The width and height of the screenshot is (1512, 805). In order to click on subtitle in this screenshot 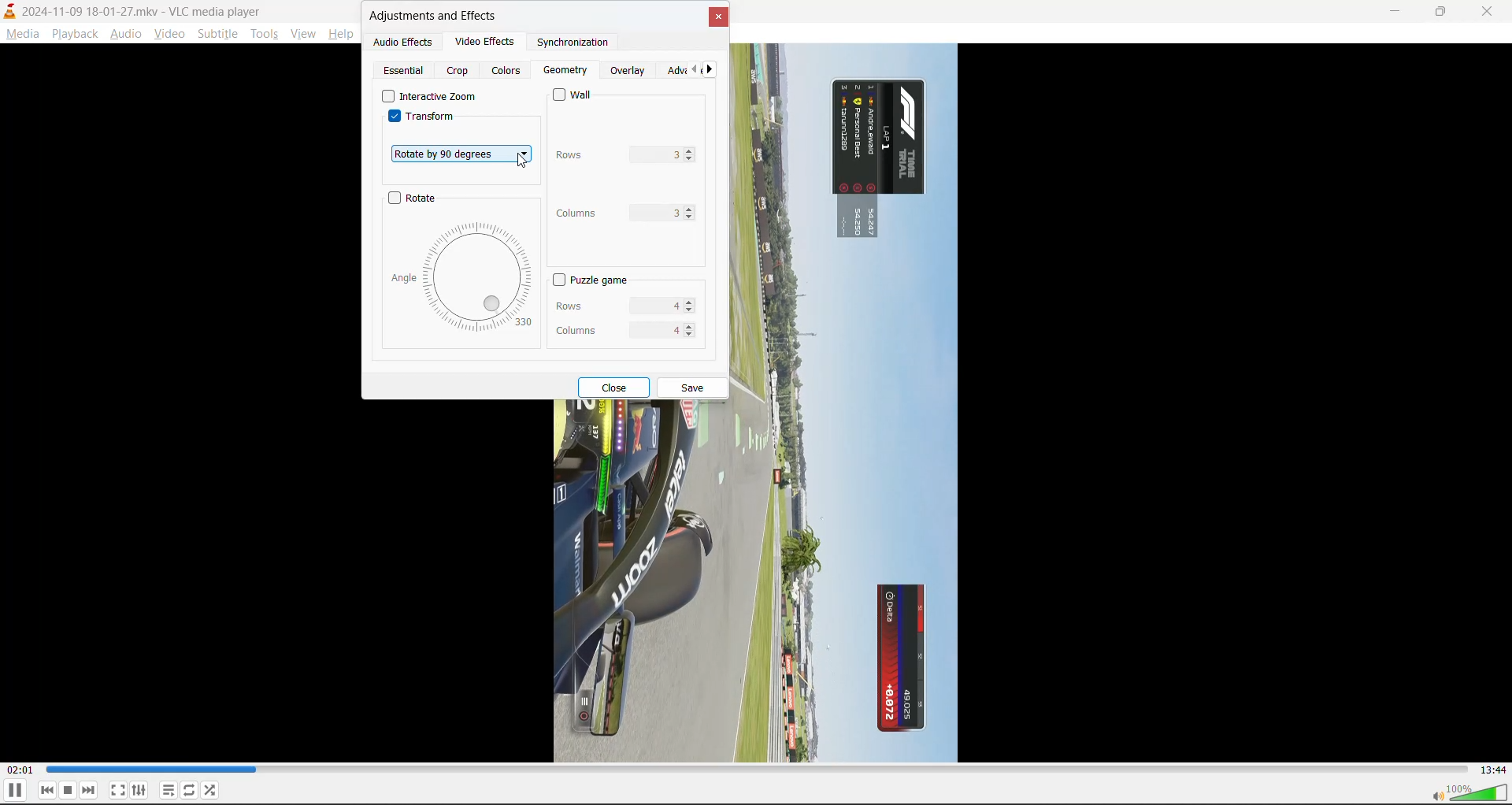, I will do `click(218, 35)`.